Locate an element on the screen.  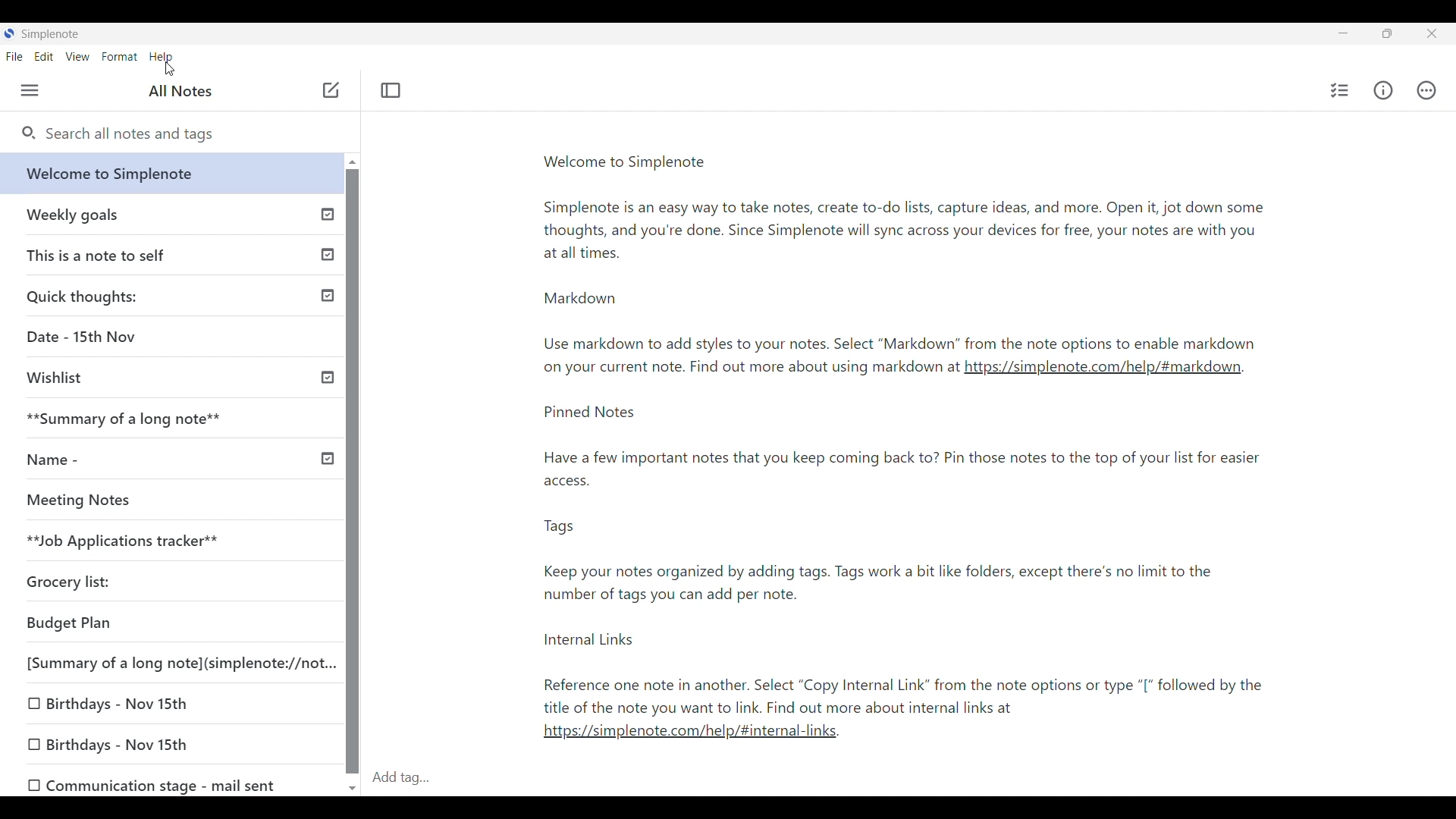
Internal Links
Reference one note in another. Select “Copy Internal Link” from the note options or type “[* followed by the
title of the note you want to link. Find out more about internal links at is located at coordinates (907, 670).